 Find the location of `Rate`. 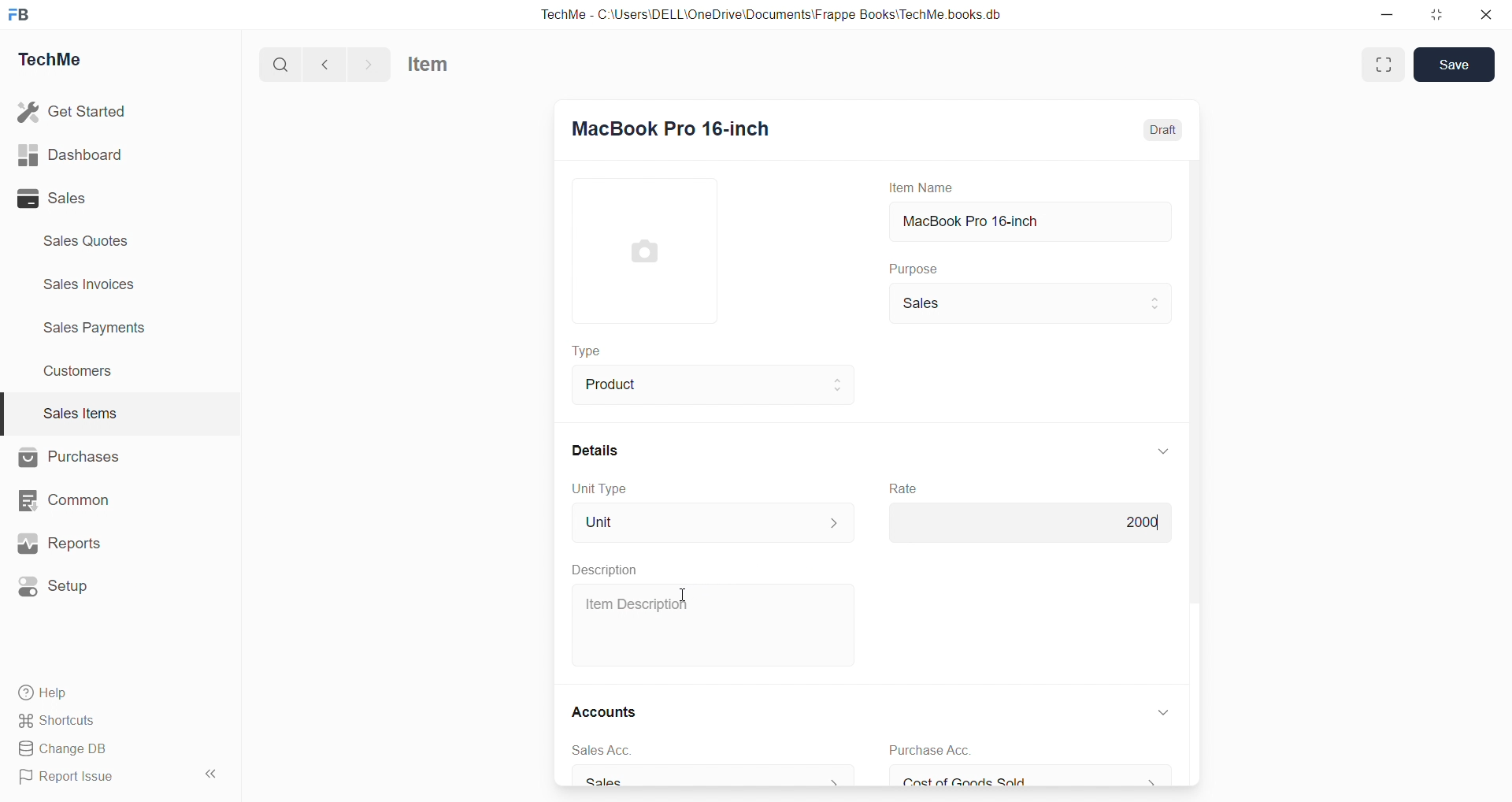

Rate is located at coordinates (902, 488).